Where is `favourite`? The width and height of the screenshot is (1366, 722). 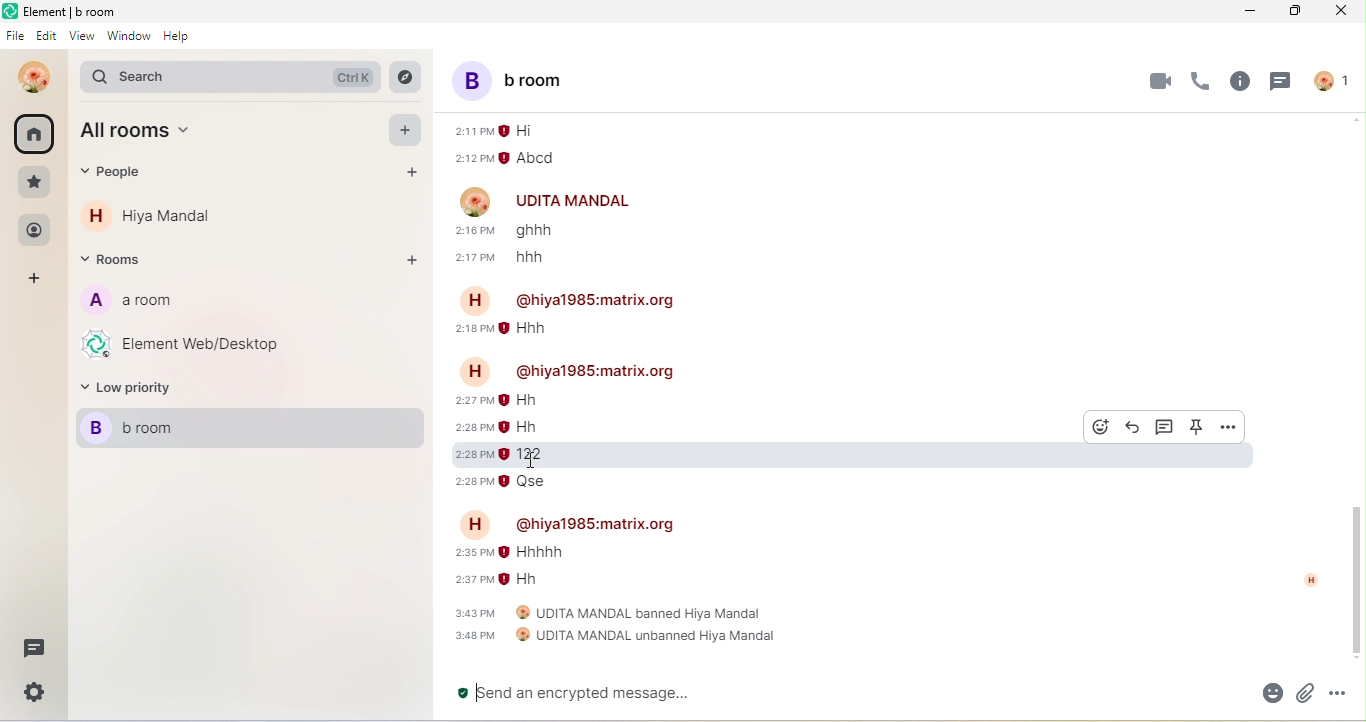
favourite is located at coordinates (35, 182).